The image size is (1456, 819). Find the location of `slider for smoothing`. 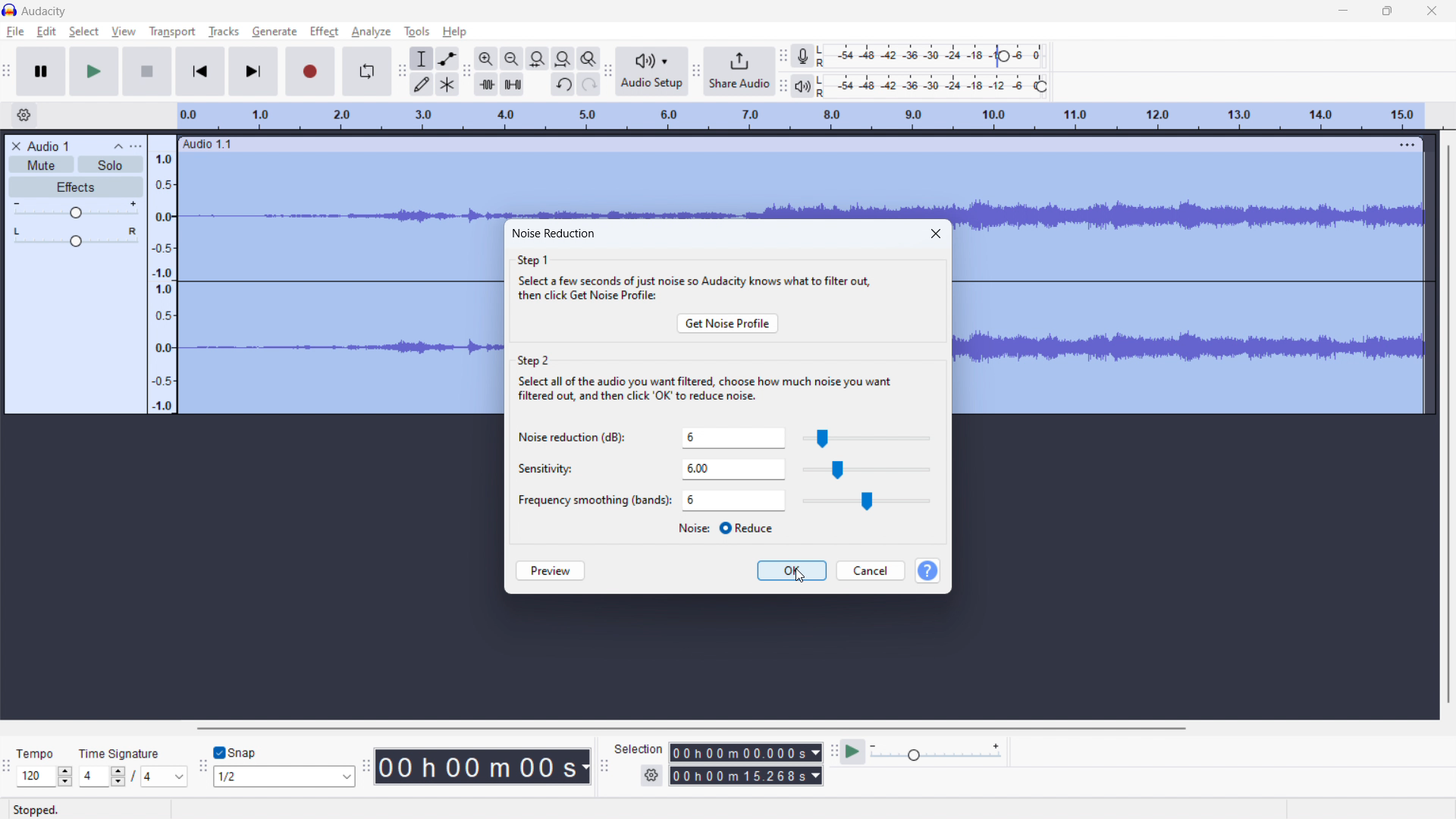

slider for smoothing is located at coordinates (868, 502).